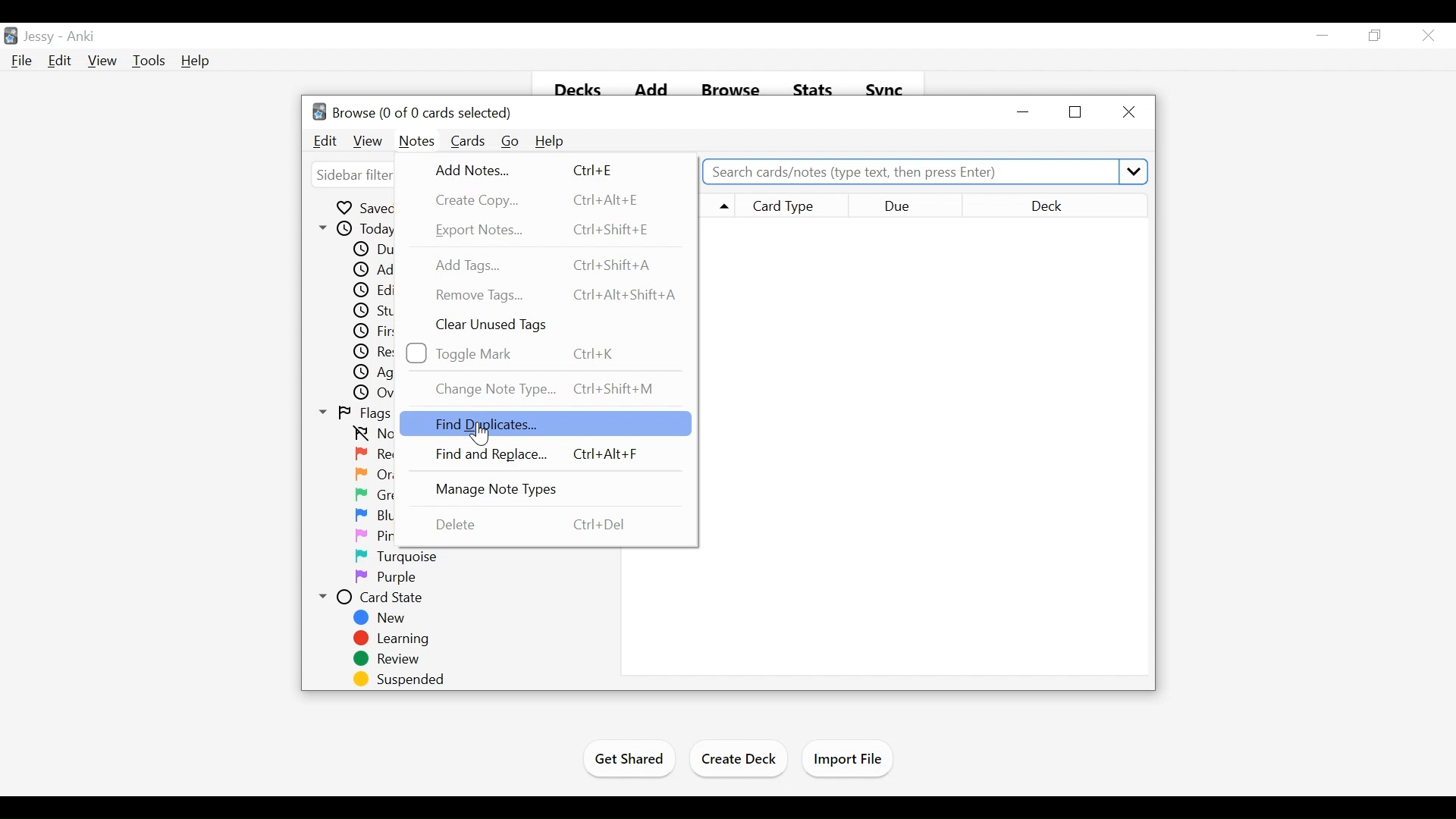 The height and width of the screenshot is (819, 1456). What do you see at coordinates (559, 295) in the screenshot?
I see `Remove Tags` at bounding box center [559, 295].